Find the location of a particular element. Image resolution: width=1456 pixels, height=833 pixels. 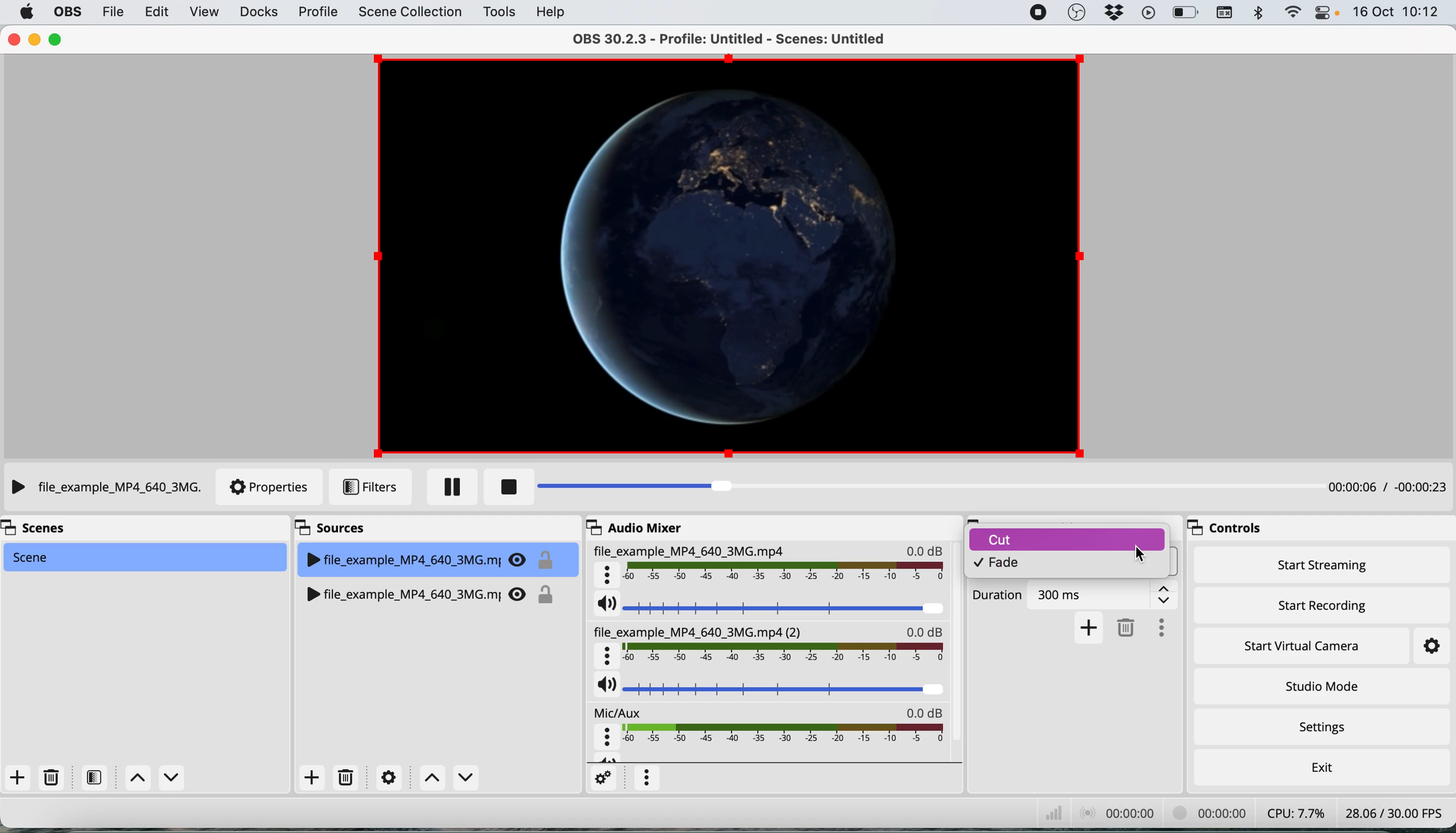

start streaming is located at coordinates (1318, 567).